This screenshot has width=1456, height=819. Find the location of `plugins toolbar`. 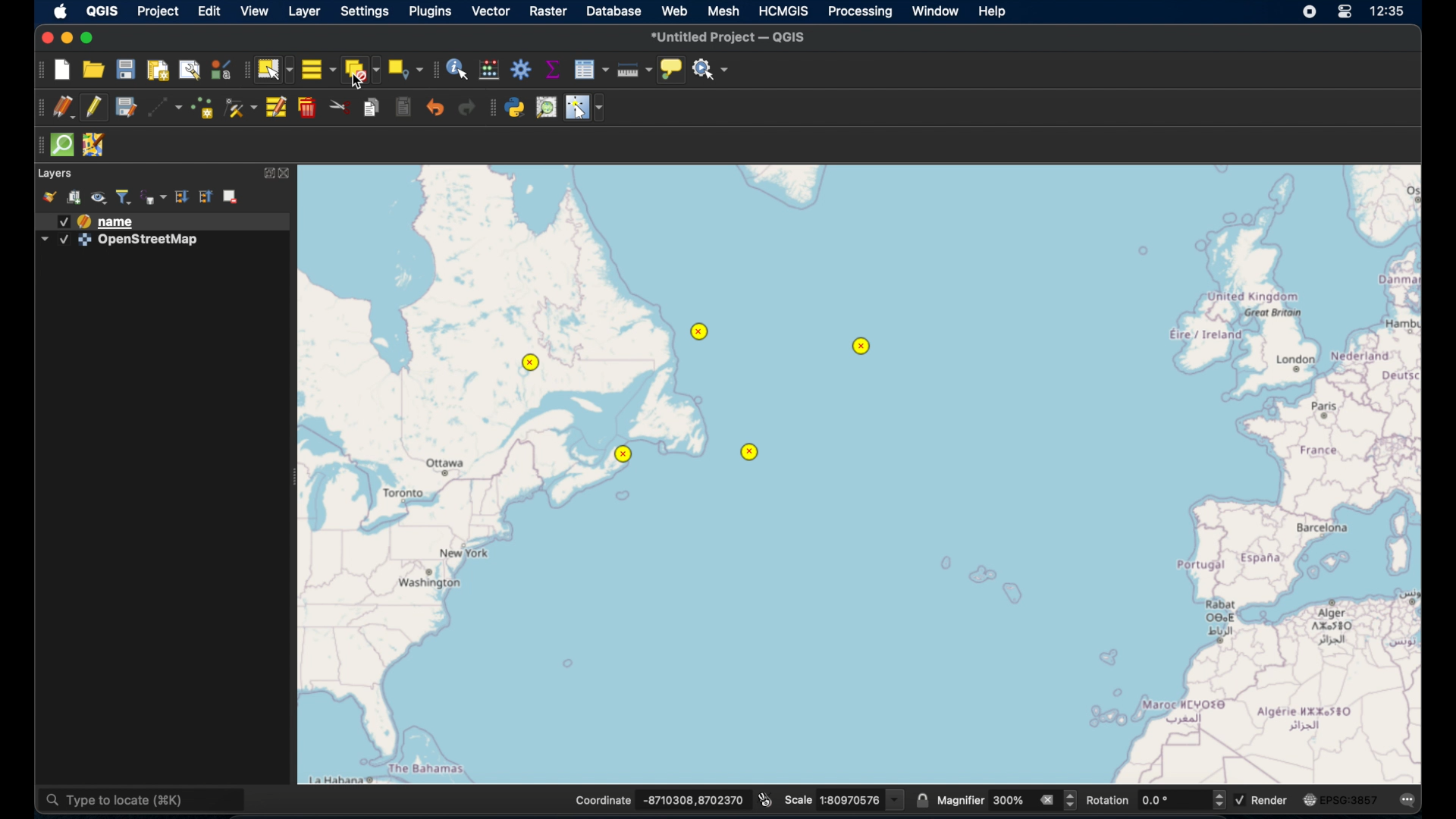

plugins toolbar is located at coordinates (493, 109).